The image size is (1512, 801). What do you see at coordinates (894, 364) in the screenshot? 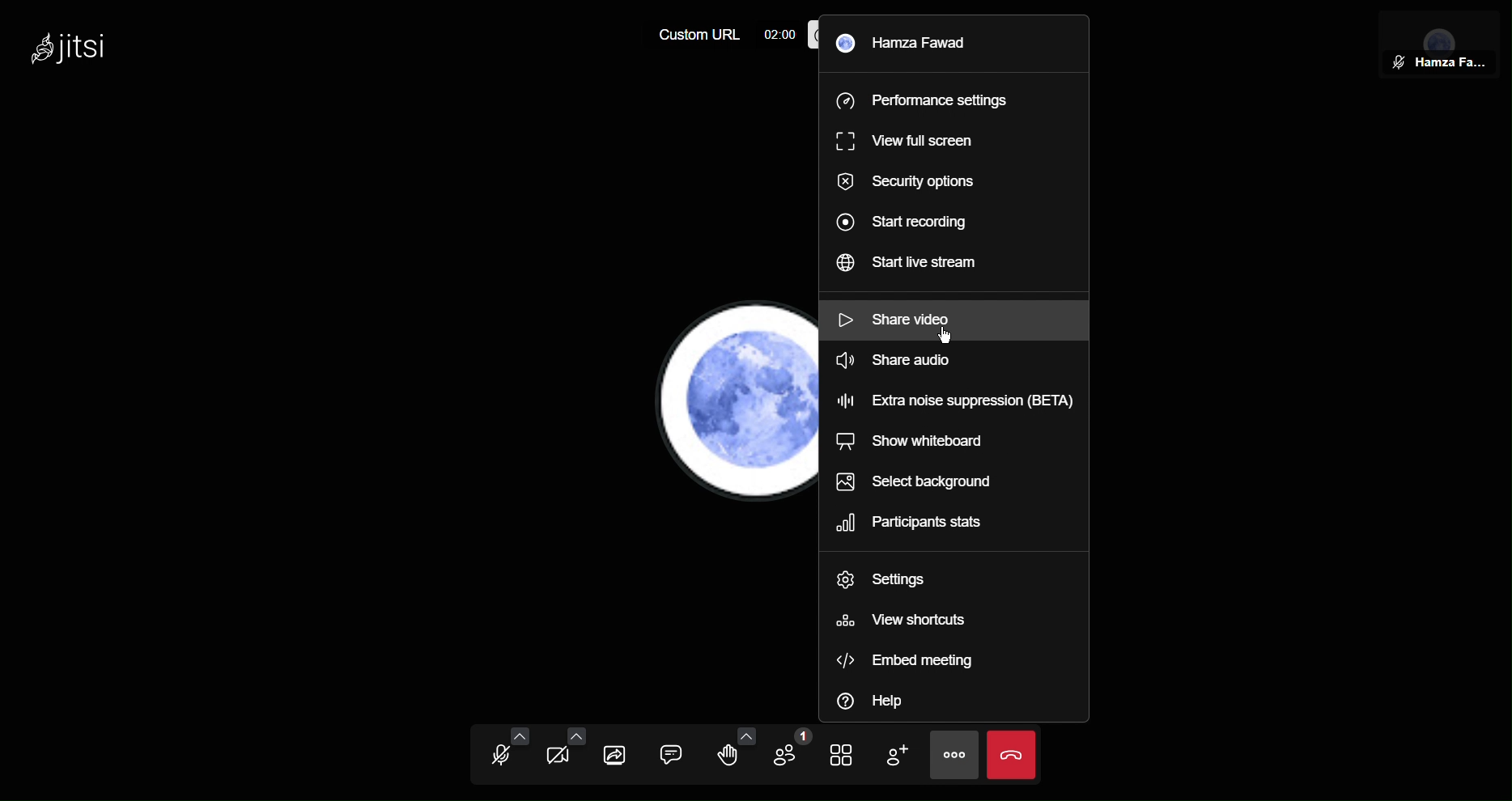
I see `Share audio` at bounding box center [894, 364].